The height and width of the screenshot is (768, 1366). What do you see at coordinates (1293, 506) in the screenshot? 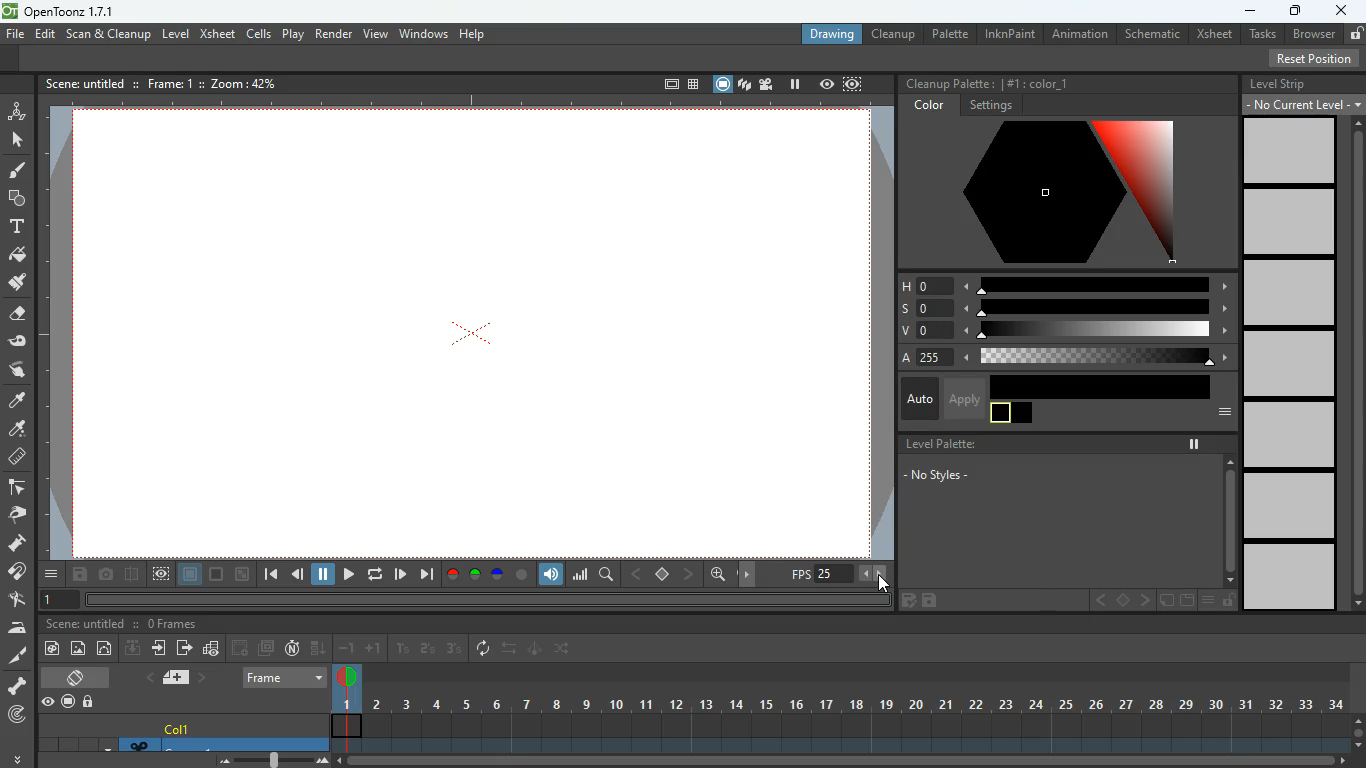
I see `level` at bounding box center [1293, 506].